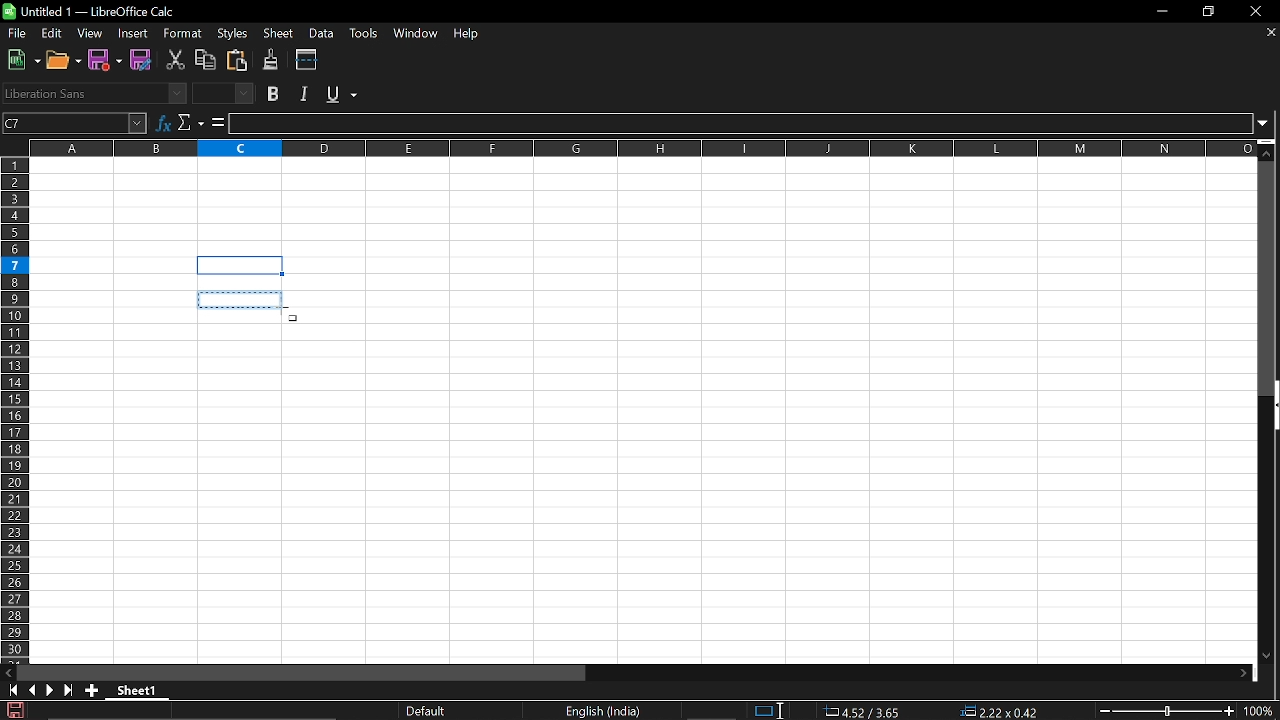 The image size is (1280, 720). What do you see at coordinates (415, 34) in the screenshot?
I see `Window` at bounding box center [415, 34].